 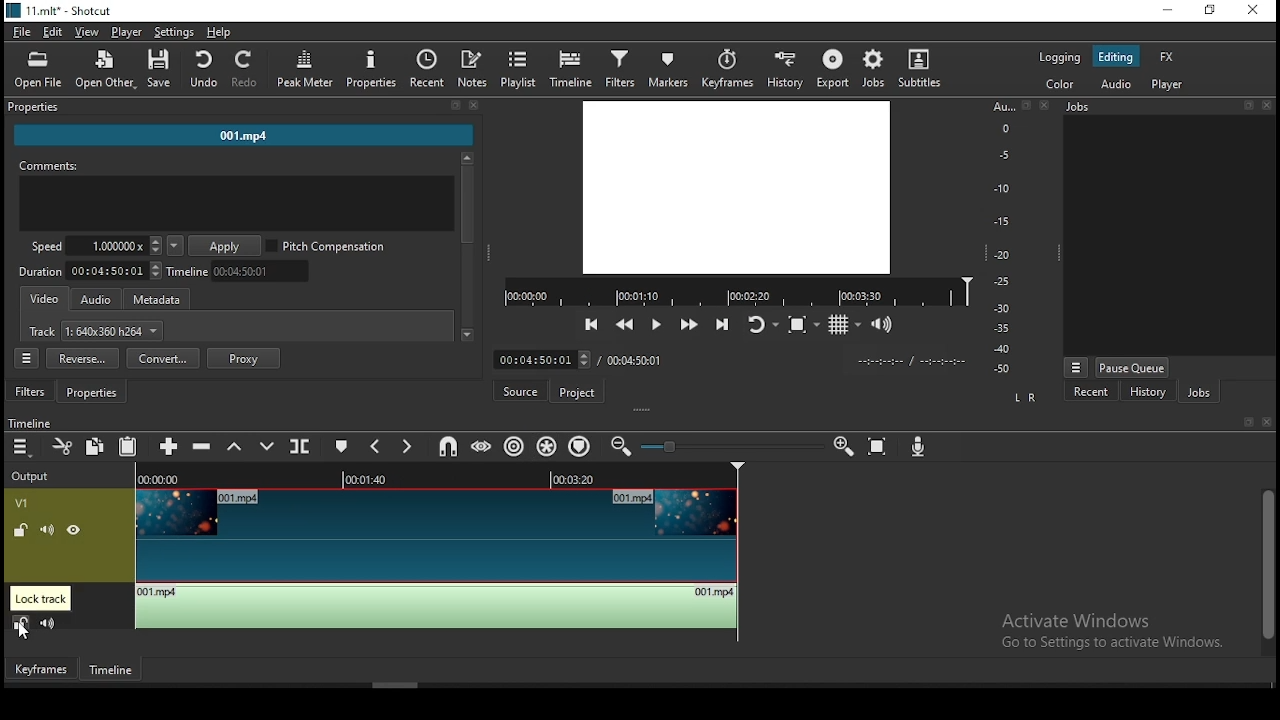 I want to click on next marker, so click(x=409, y=446).